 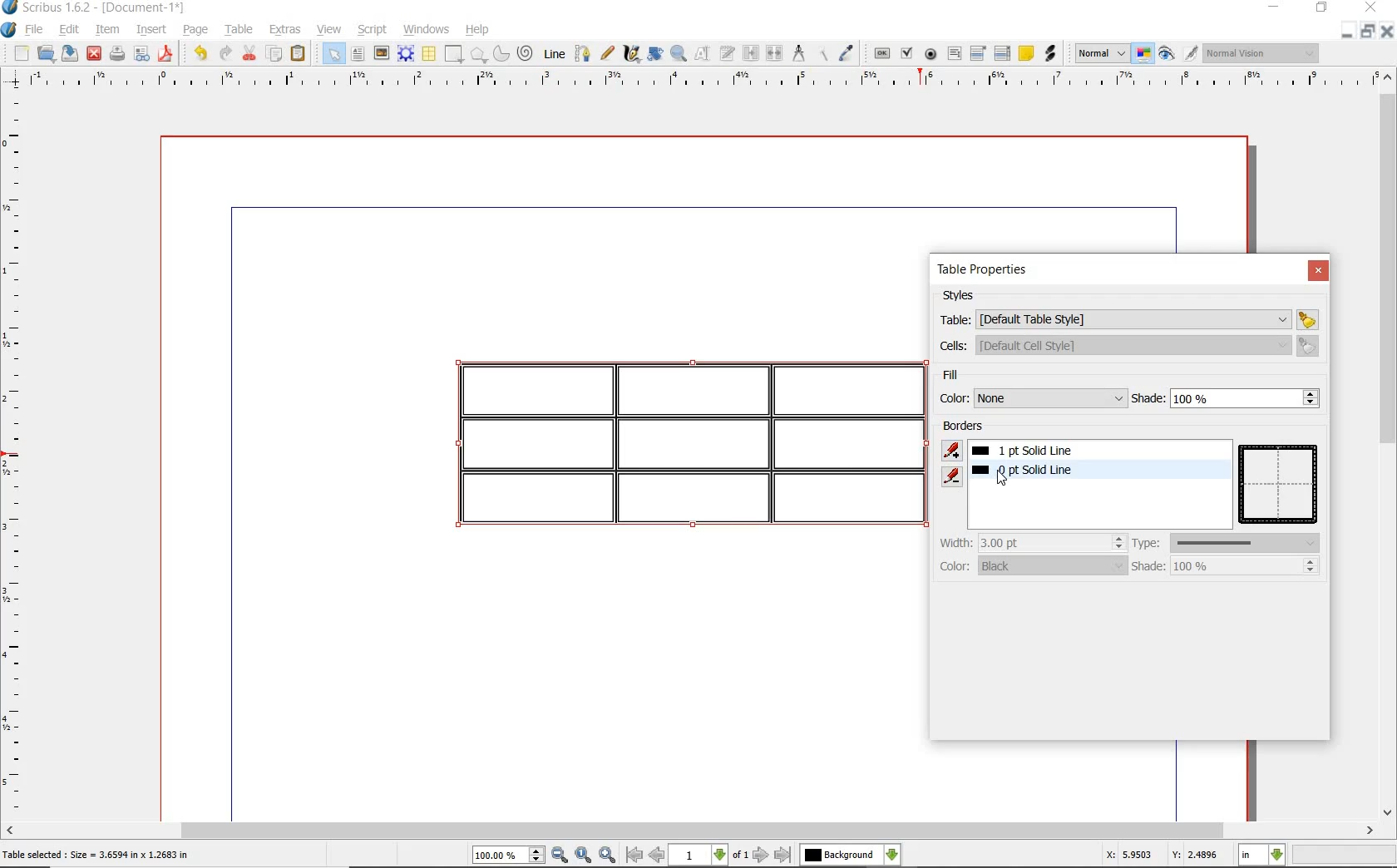 What do you see at coordinates (44, 52) in the screenshot?
I see `open` at bounding box center [44, 52].